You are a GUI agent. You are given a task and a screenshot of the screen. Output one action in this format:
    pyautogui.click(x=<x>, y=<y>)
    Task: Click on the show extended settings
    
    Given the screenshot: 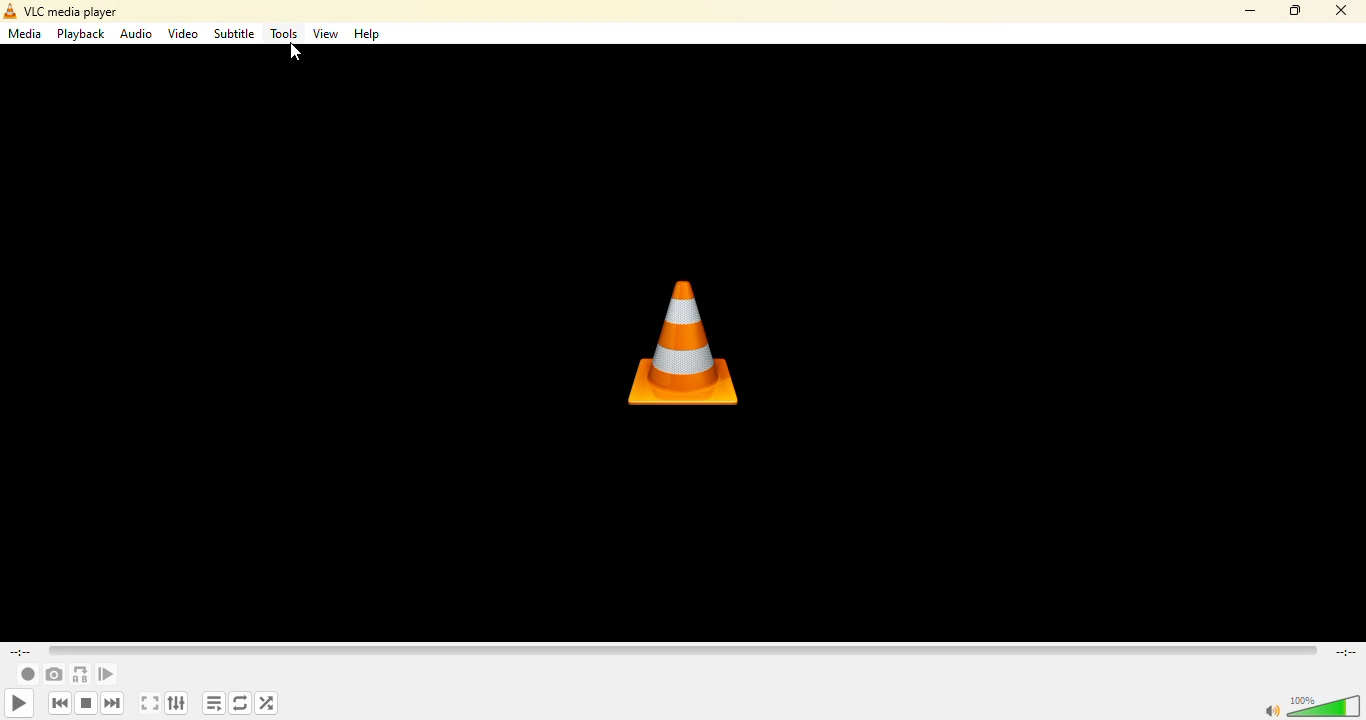 What is the action you would take?
    pyautogui.click(x=176, y=703)
    